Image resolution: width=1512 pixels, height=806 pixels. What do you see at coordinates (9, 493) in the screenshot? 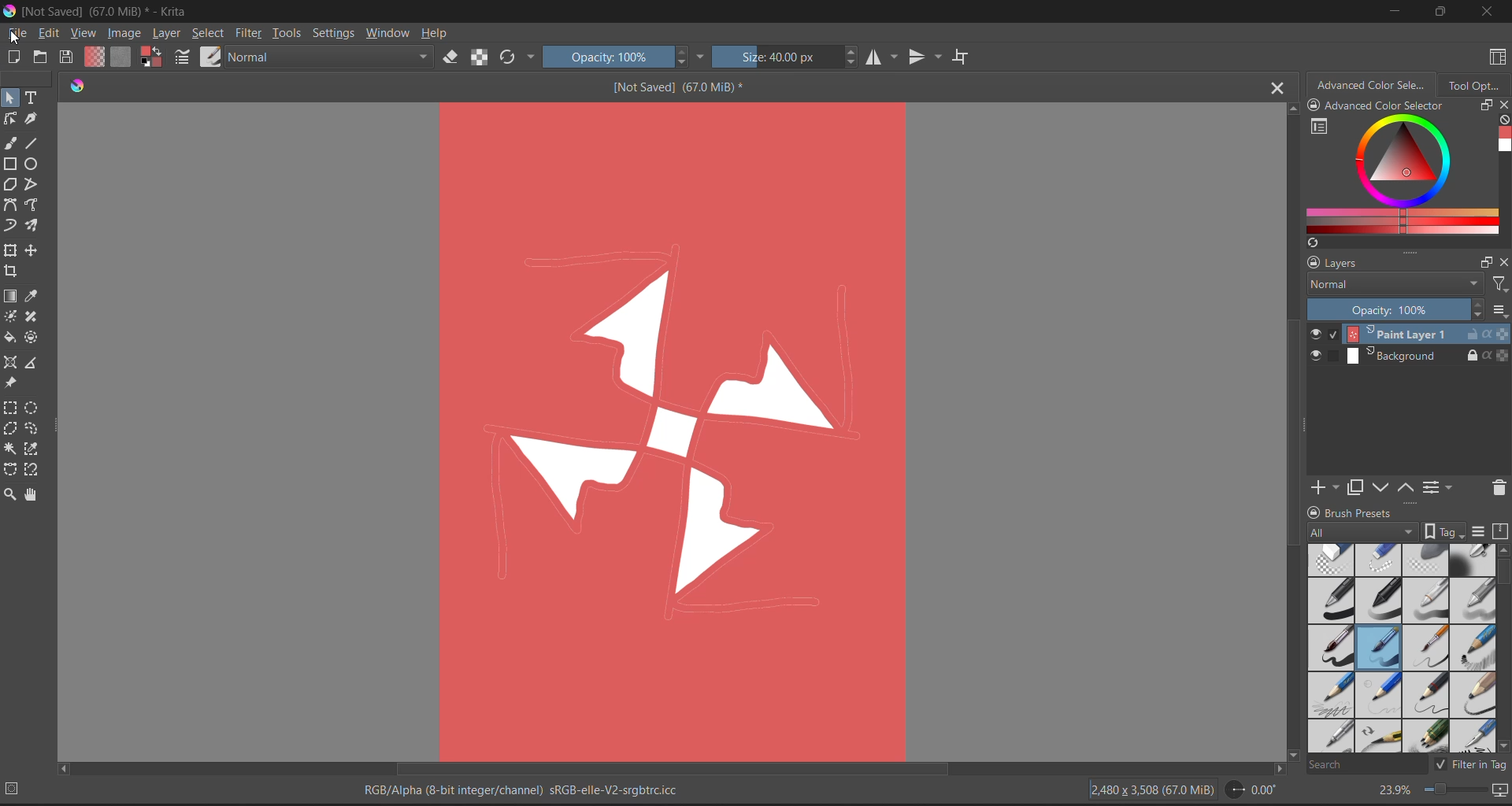
I see `tools` at bounding box center [9, 493].